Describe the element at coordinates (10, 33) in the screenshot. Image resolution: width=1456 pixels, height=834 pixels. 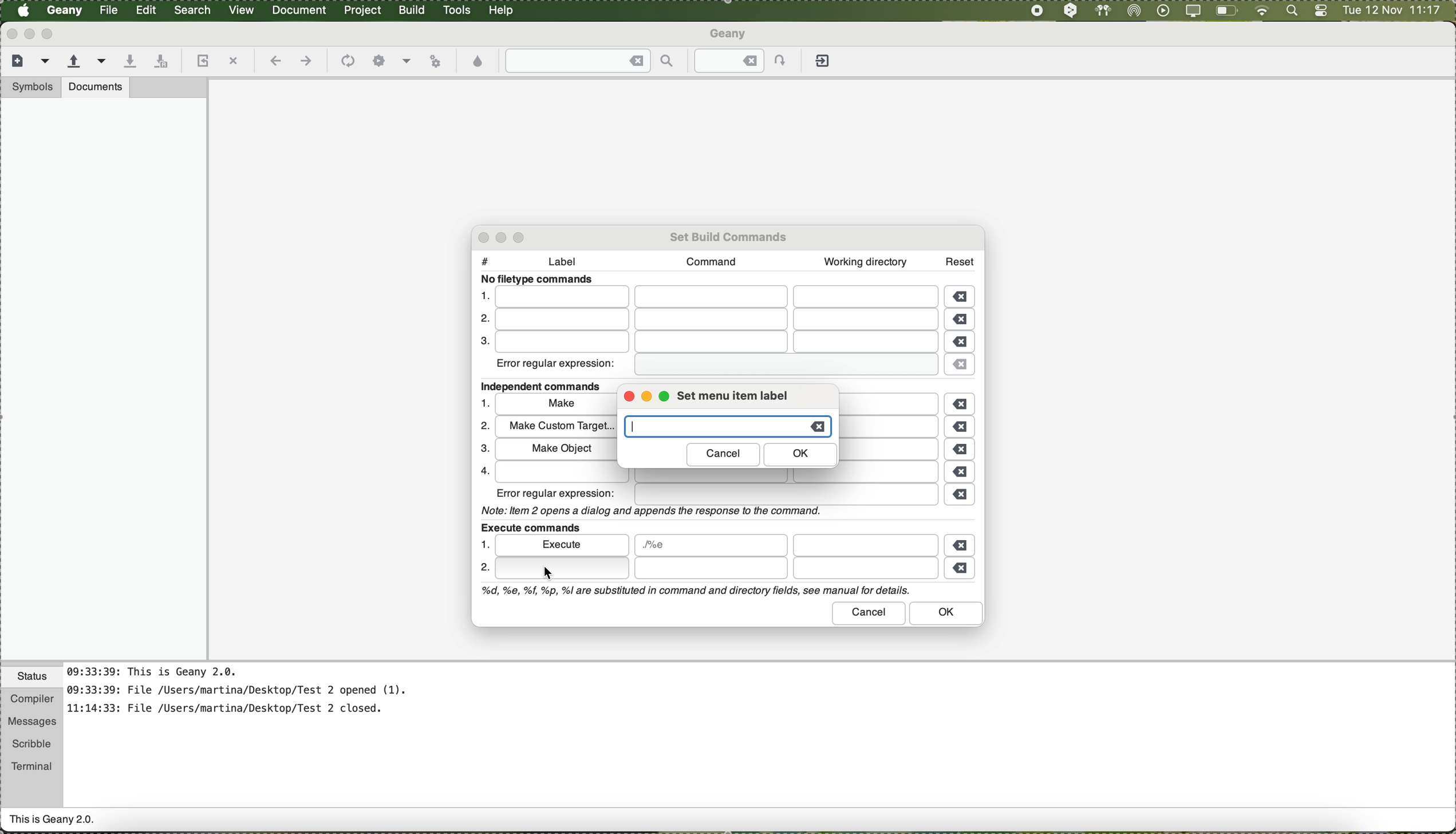
I see `close program` at that location.